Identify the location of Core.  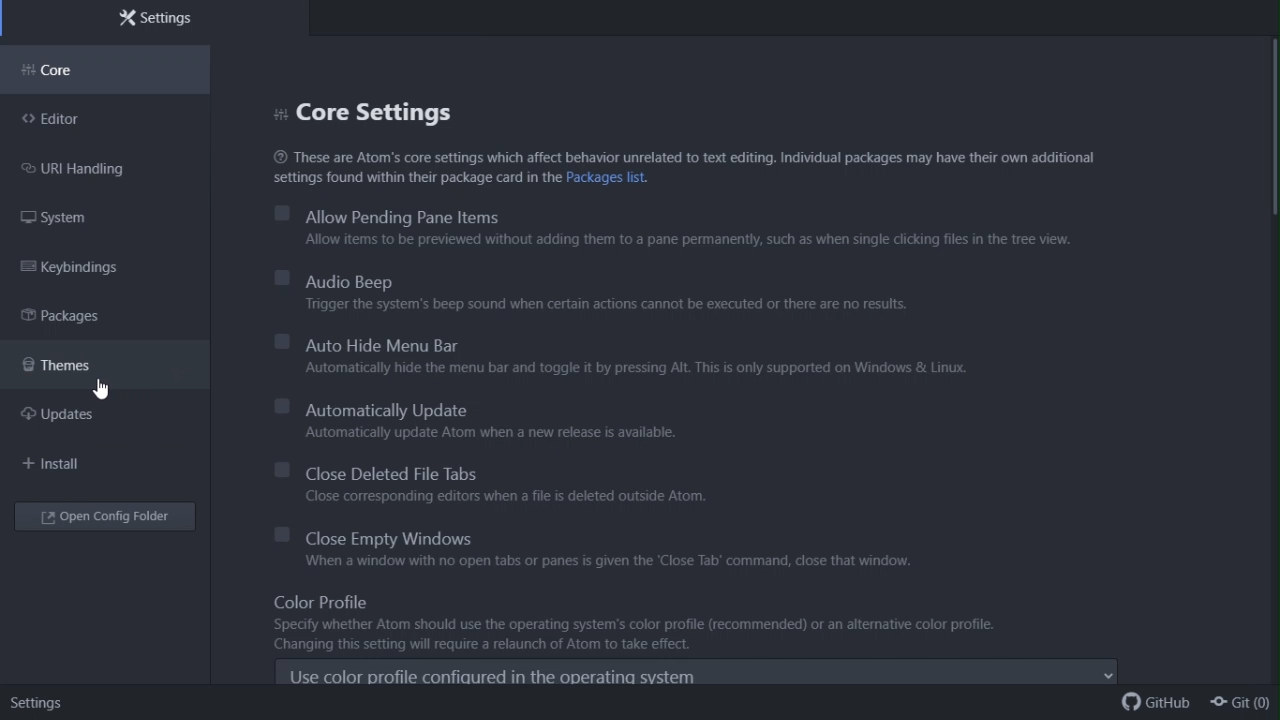
(70, 70).